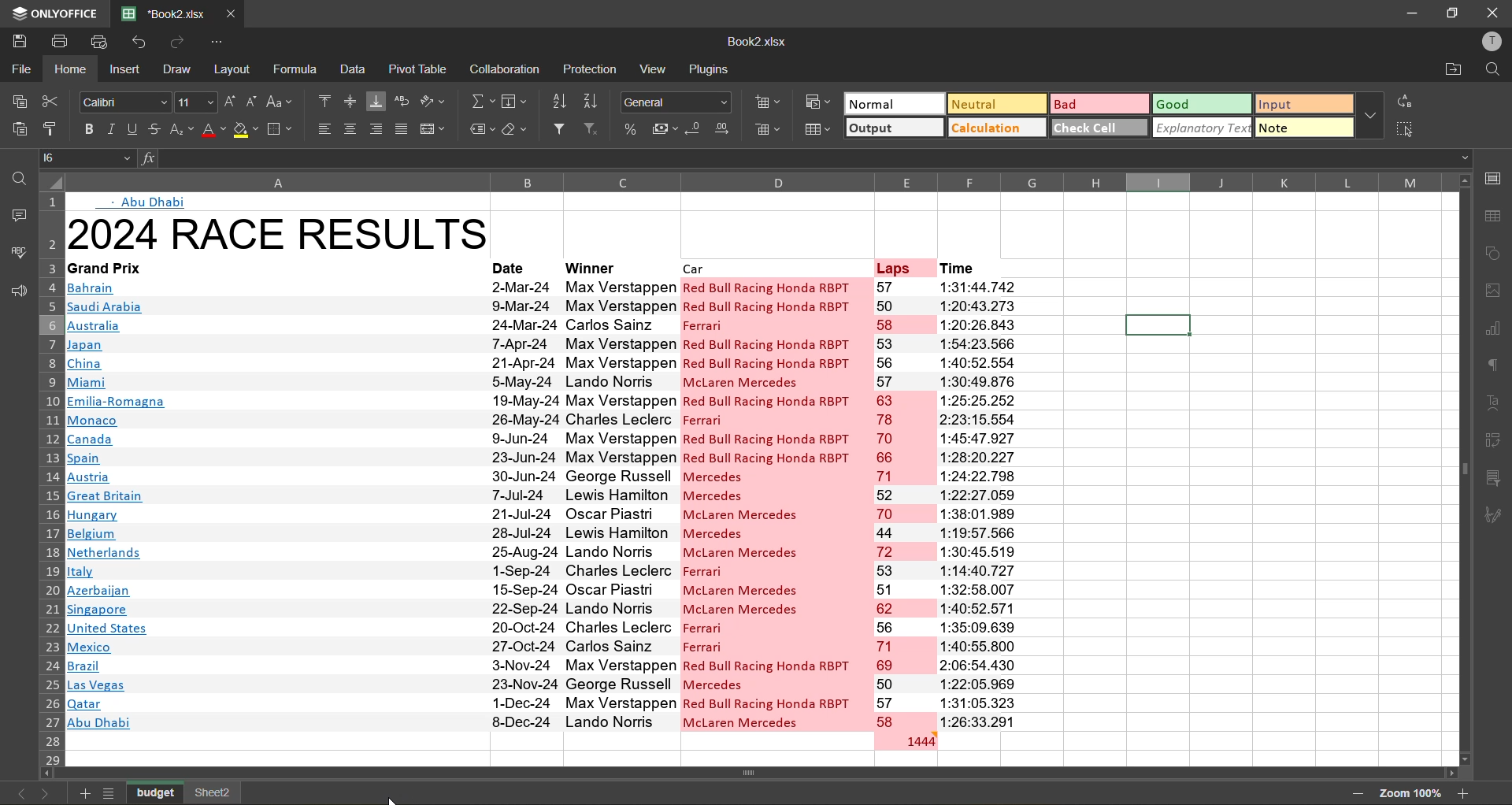 The height and width of the screenshot is (805, 1512). Describe the element at coordinates (17, 793) in the screenshot. I see `previous` at that location.